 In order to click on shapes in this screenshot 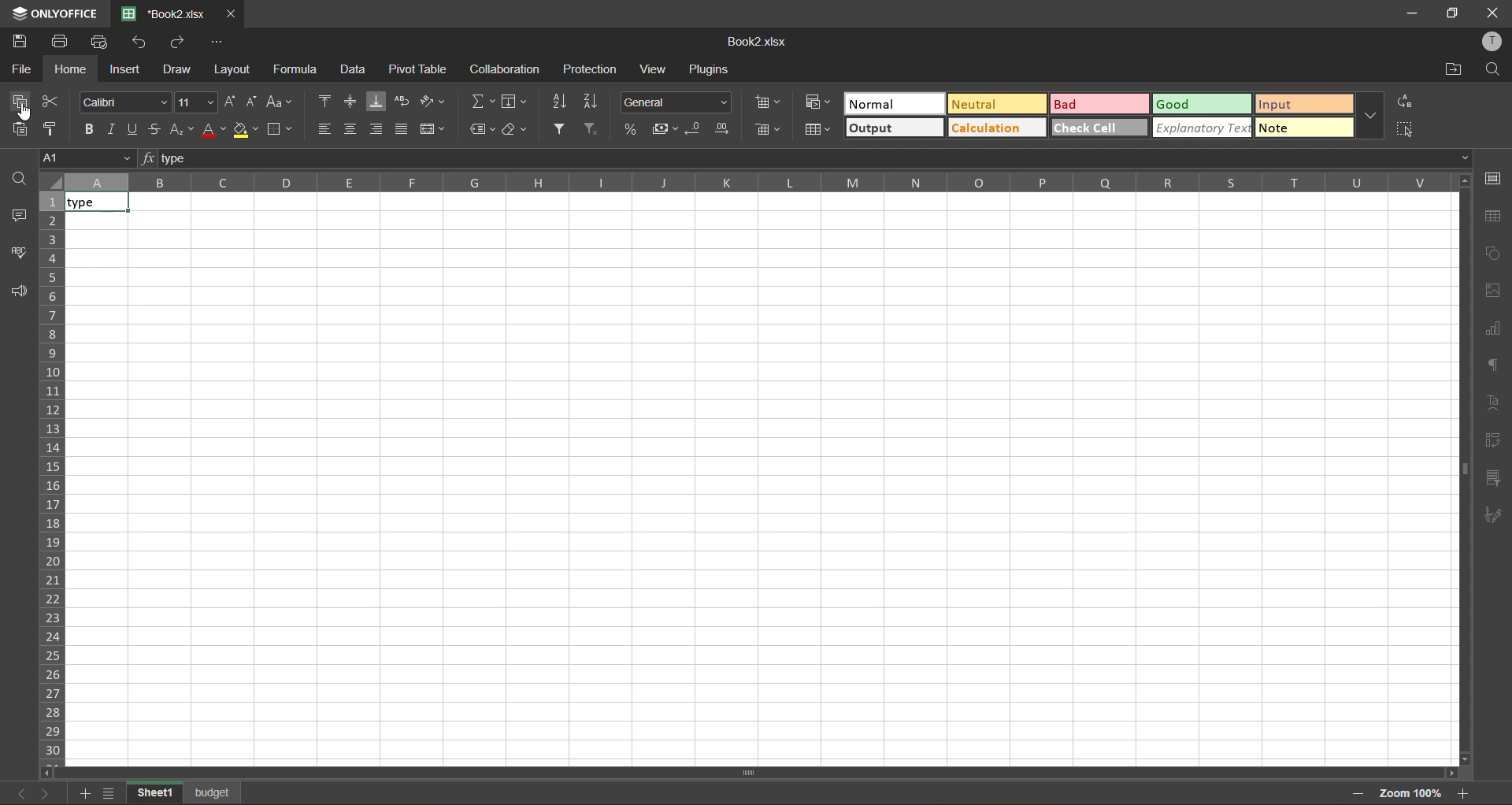, I will do `click(1494, 251)`.